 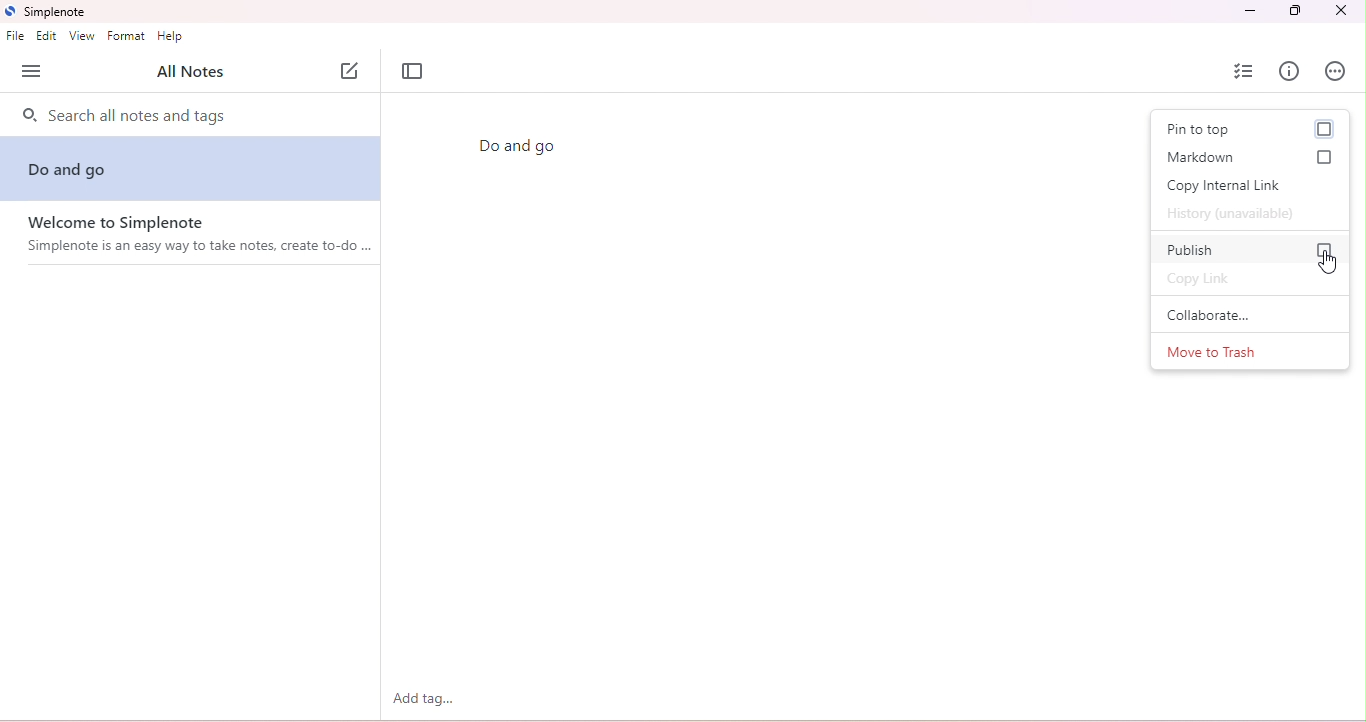 I want to click on maximize, so click(x=1295, y=11).